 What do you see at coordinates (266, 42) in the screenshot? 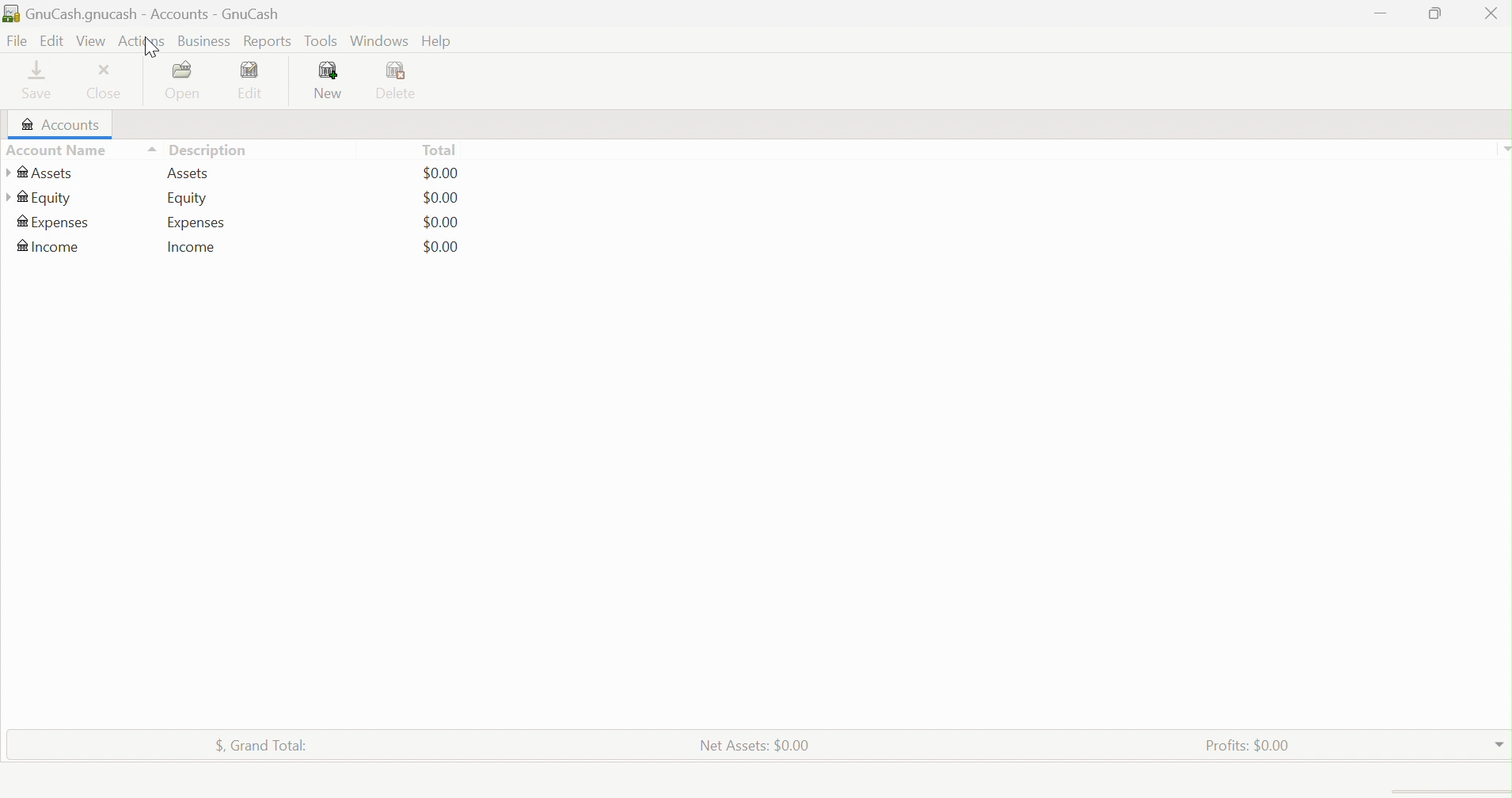
I see `Reports` at bounding box center [266, 42].